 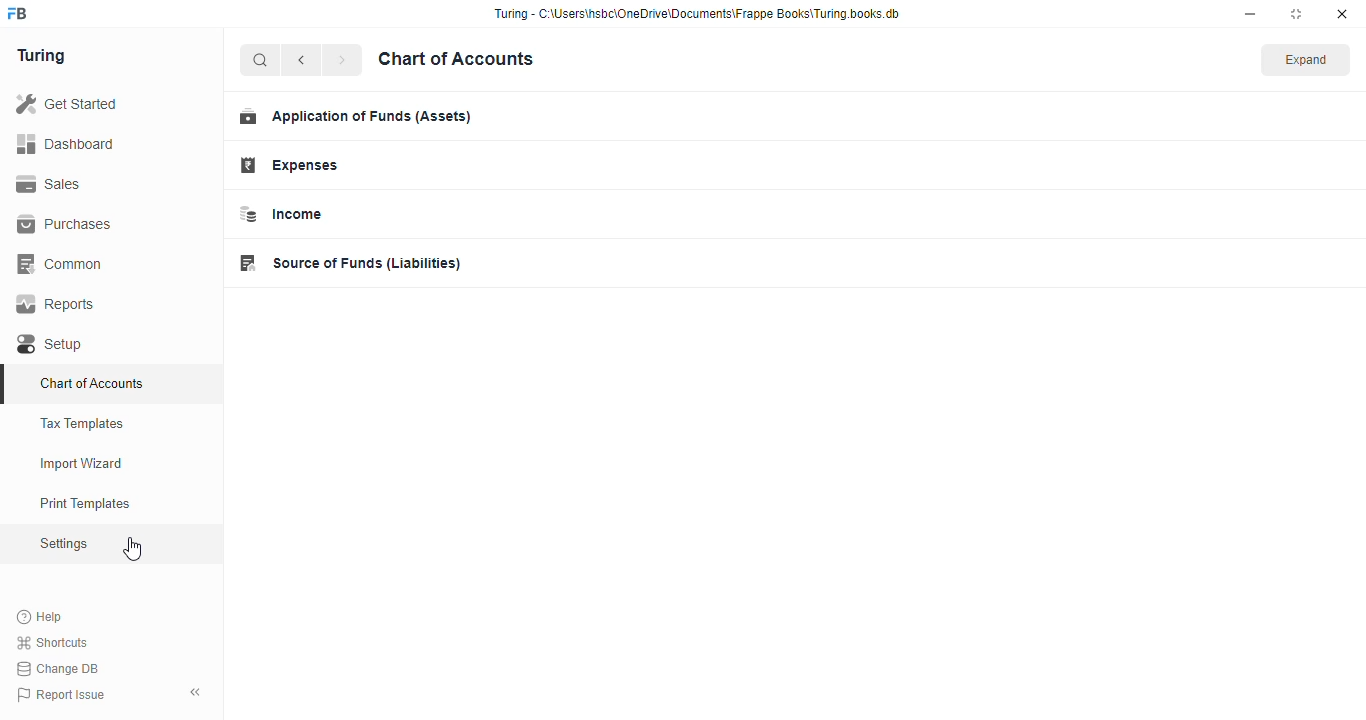 I want to click on purchases, so click(x=64, y=224).